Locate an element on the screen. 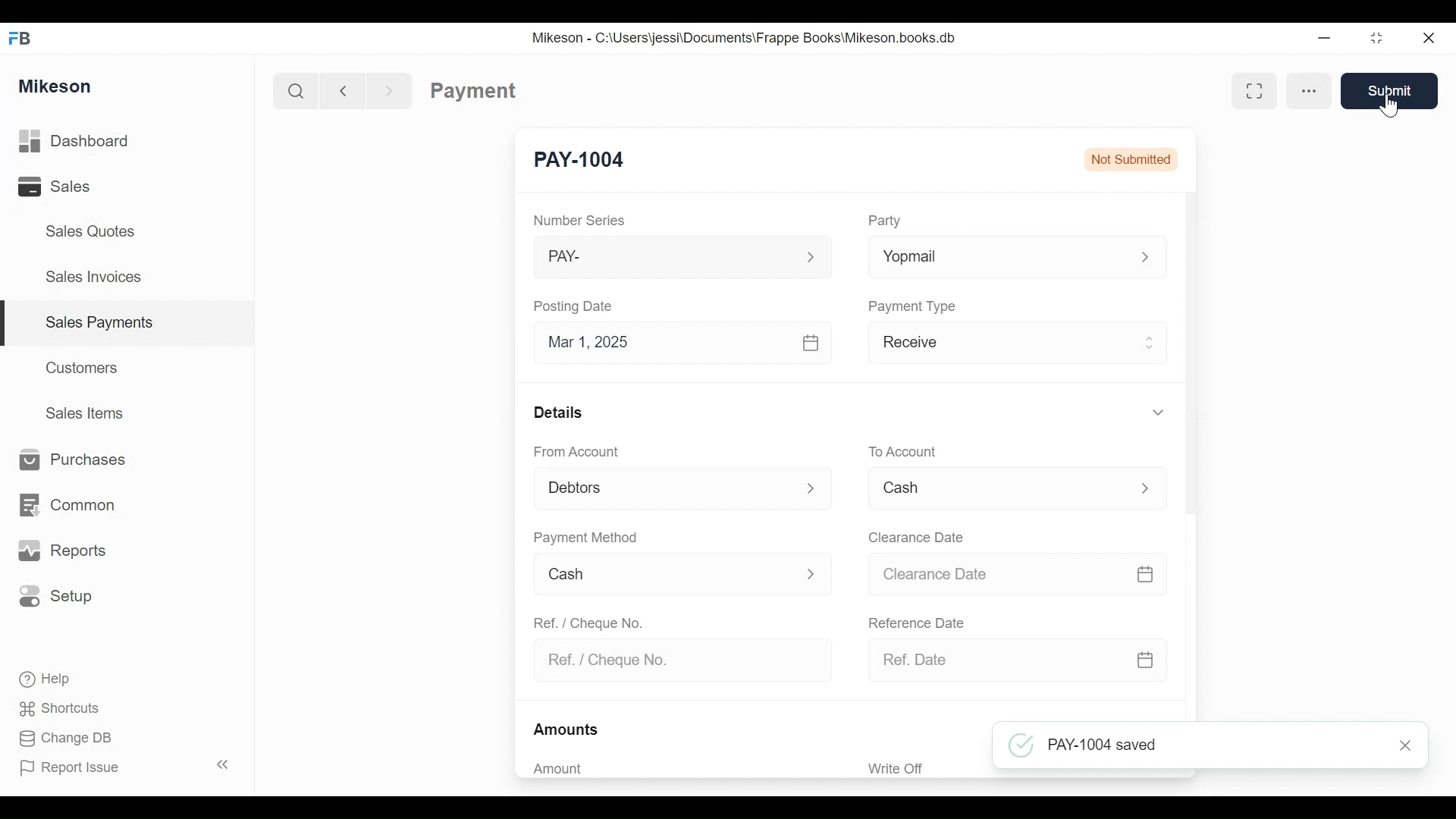 The width and height of the screenshot is (1456, 819). New Entry is located at coordinates (583, 158).